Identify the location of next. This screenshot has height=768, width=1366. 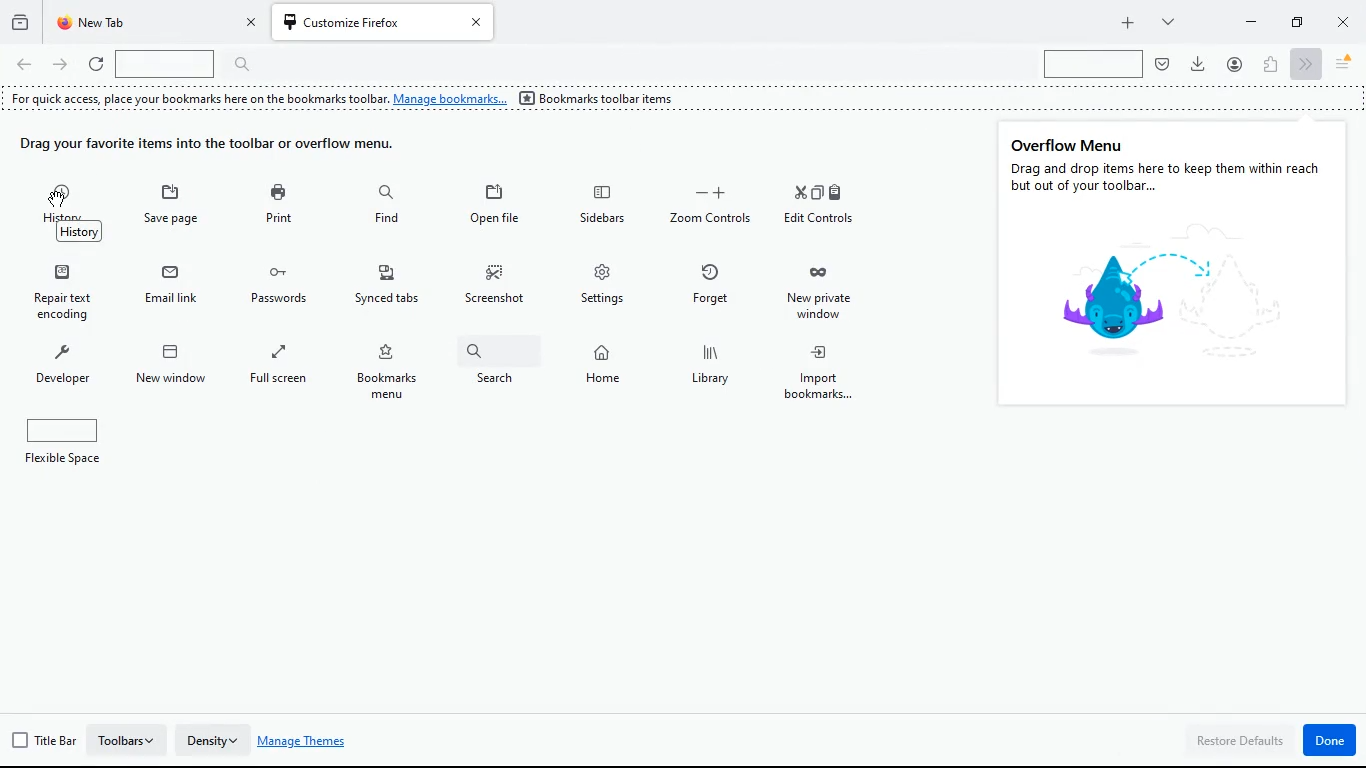
(1304, 63).